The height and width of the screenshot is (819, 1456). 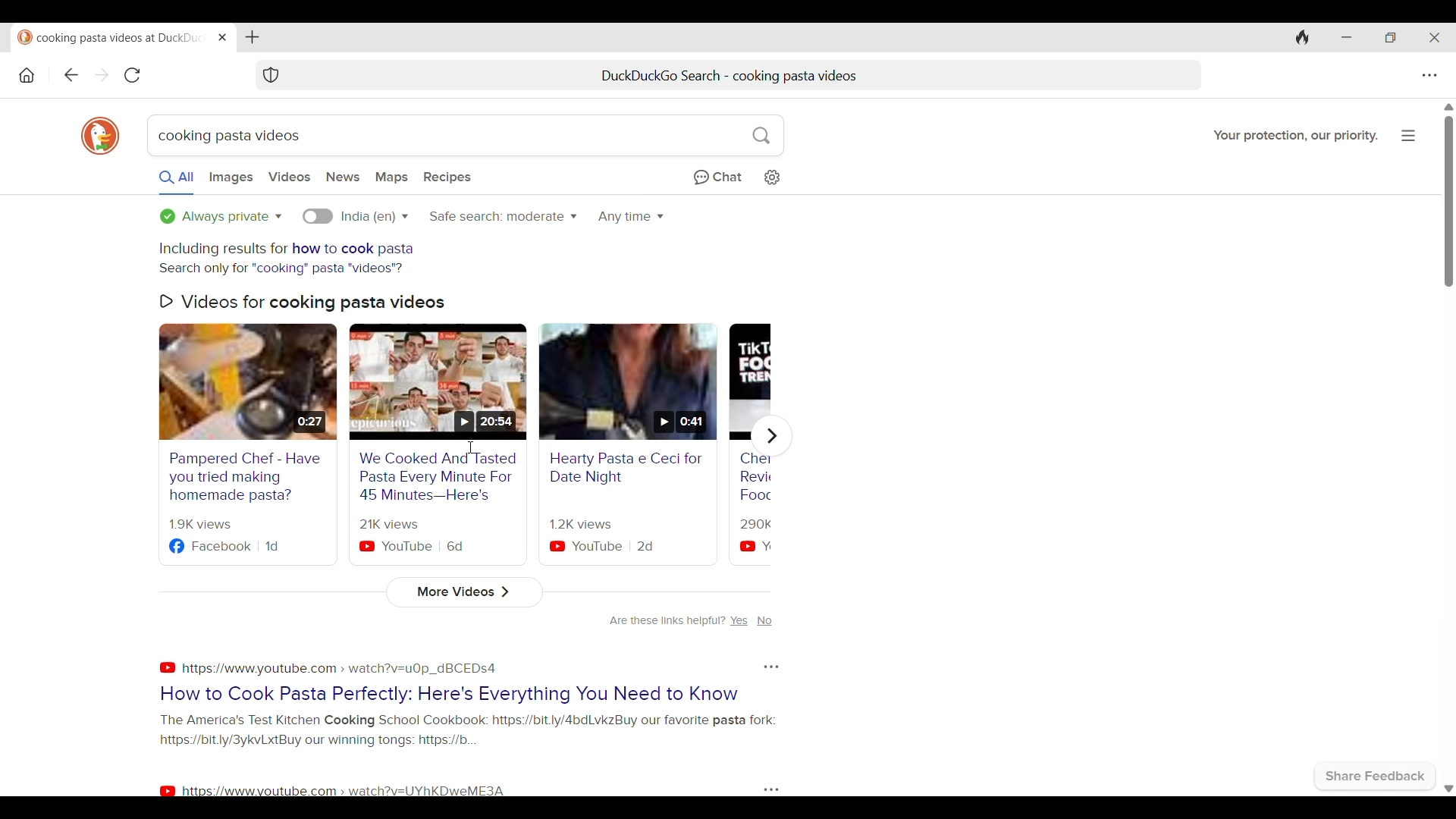 I want to click on Search news only, so click(x=342, y=177).